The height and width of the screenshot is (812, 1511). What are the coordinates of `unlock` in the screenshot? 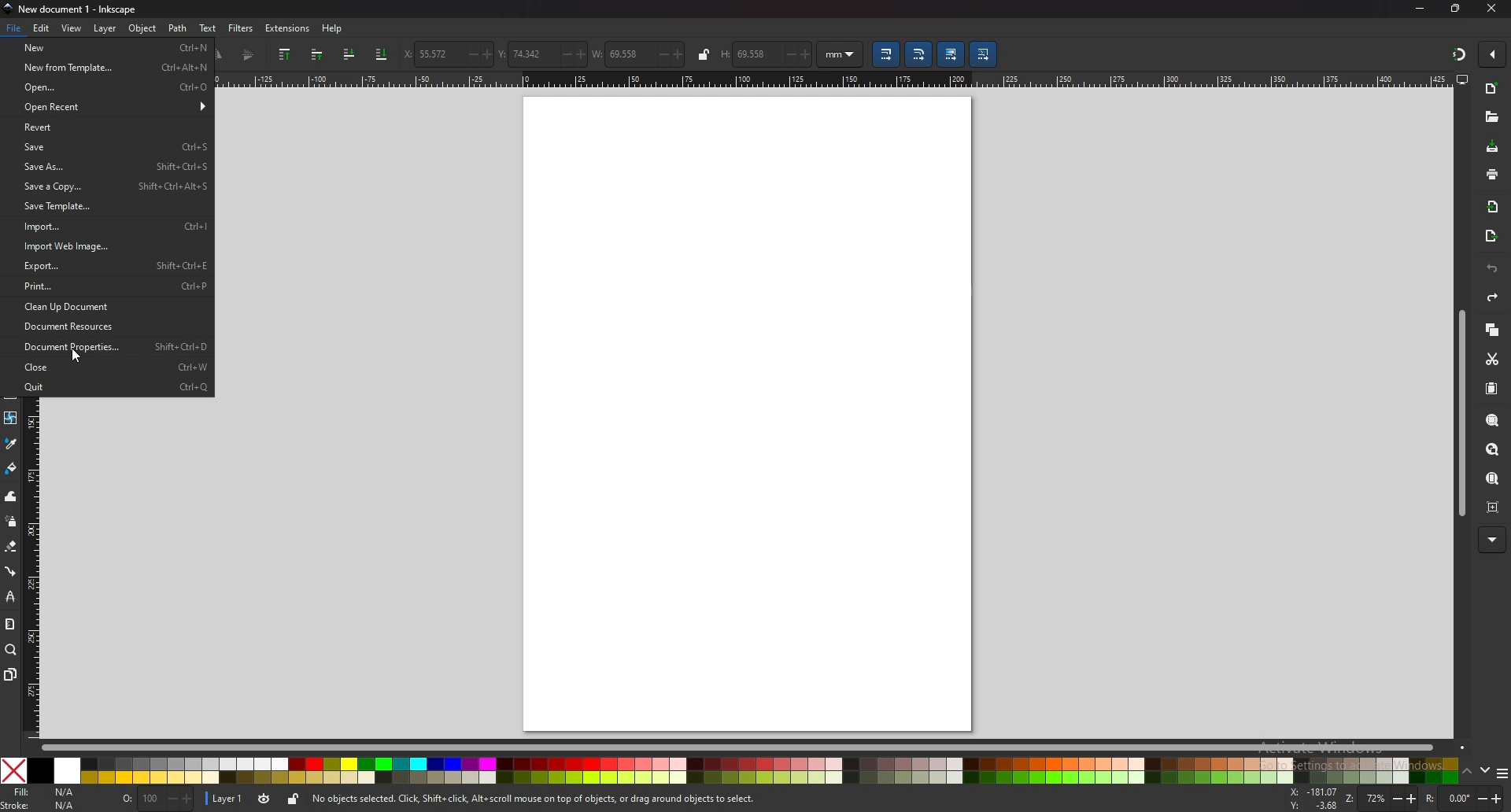 It's located at (290, 800).